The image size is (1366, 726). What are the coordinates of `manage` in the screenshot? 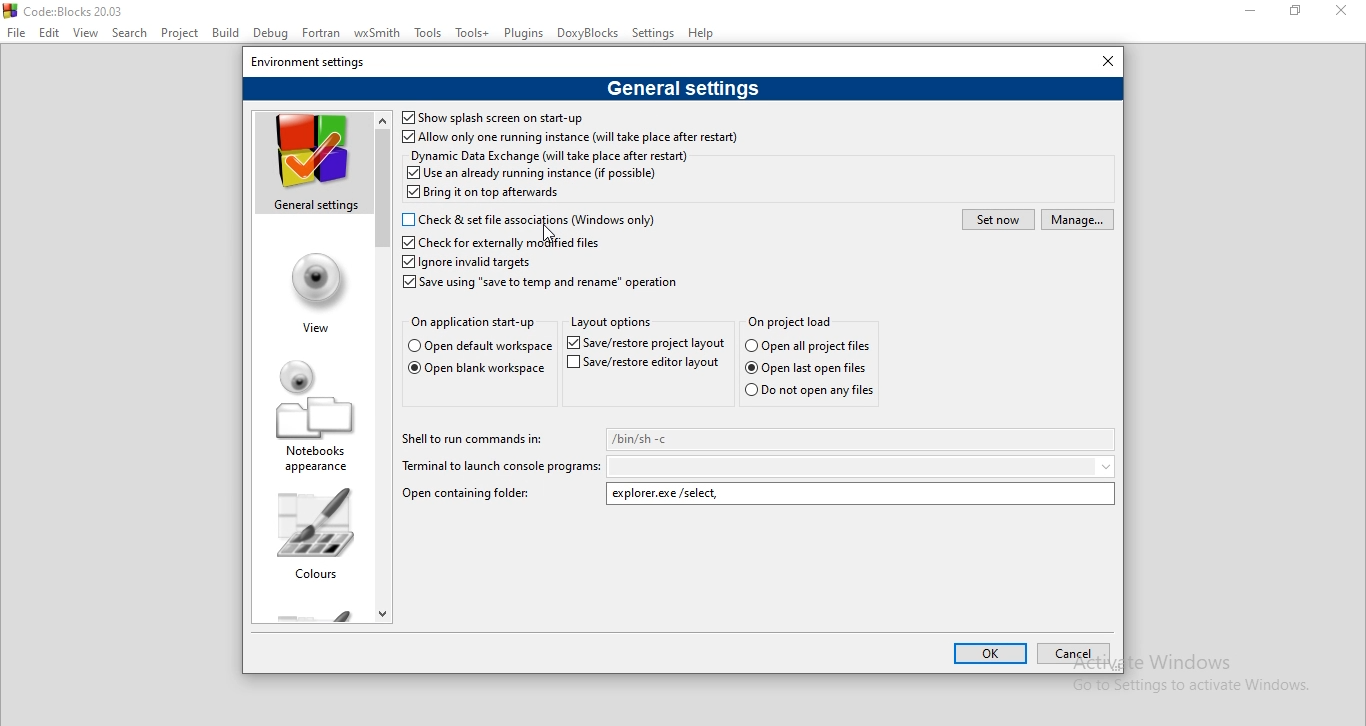 It's located at (1078, 220).